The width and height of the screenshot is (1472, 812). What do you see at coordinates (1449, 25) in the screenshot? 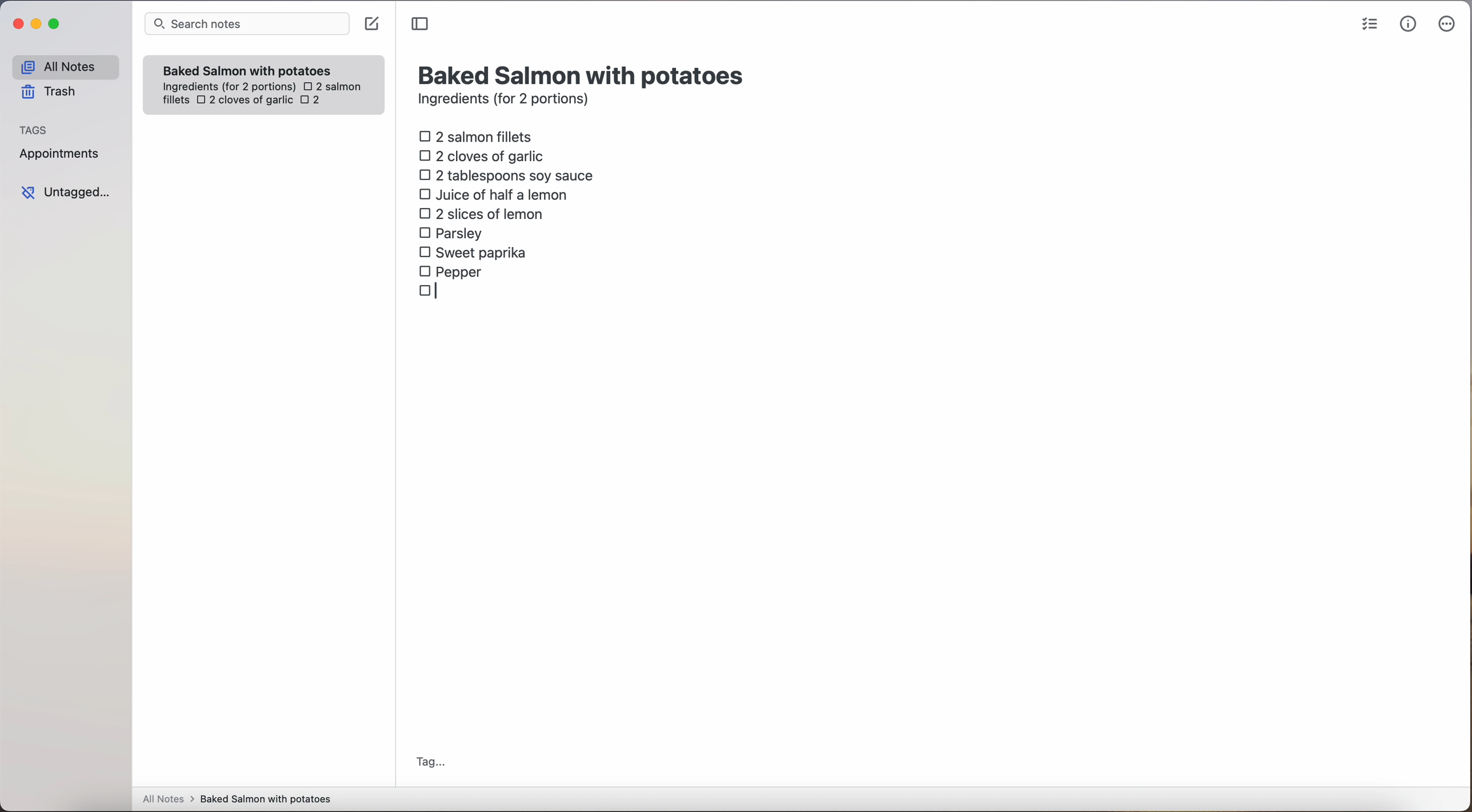
I see `more options` at bounding box center [1449, 25].